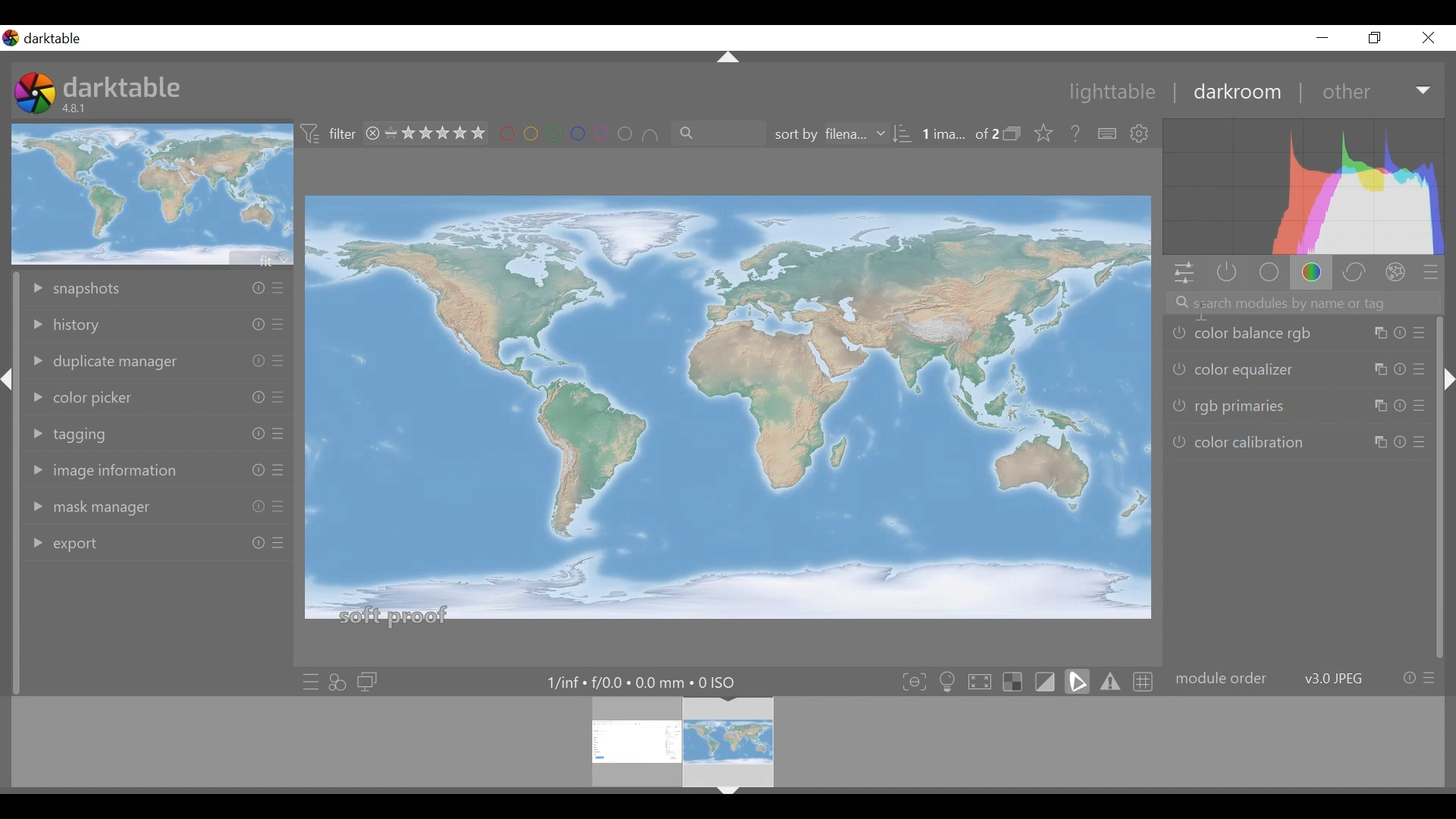 The height and width of the screenshot is (819, 1456). Describe the element at coordinates (8, 398) in the screenshot. I see `` at that location.